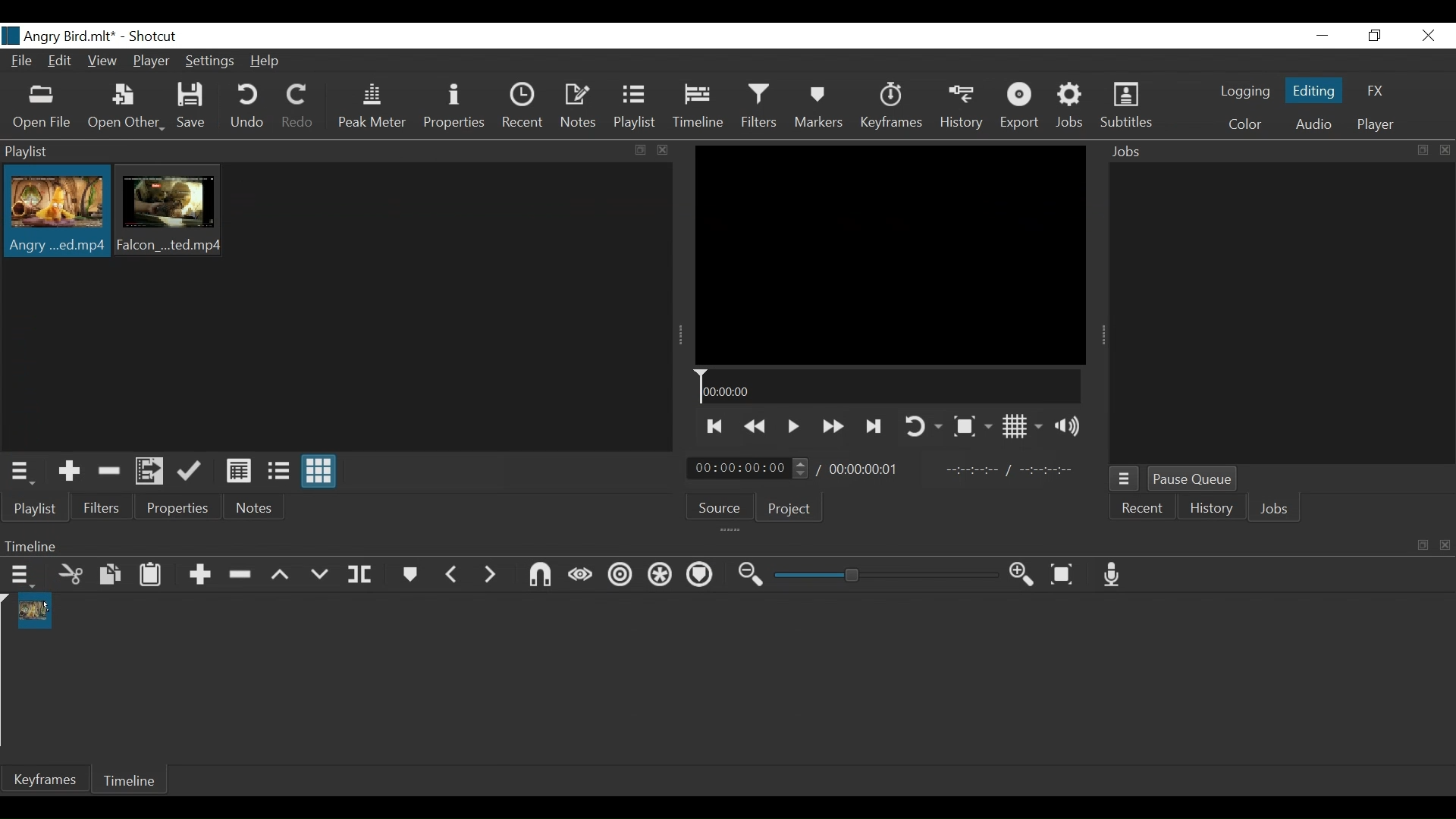 The height and width of the screenshot is (819, 1456). What do you see at coordinates (113, 576) in the screenshot?
I see `Copy` at bounding box center [113, 576].